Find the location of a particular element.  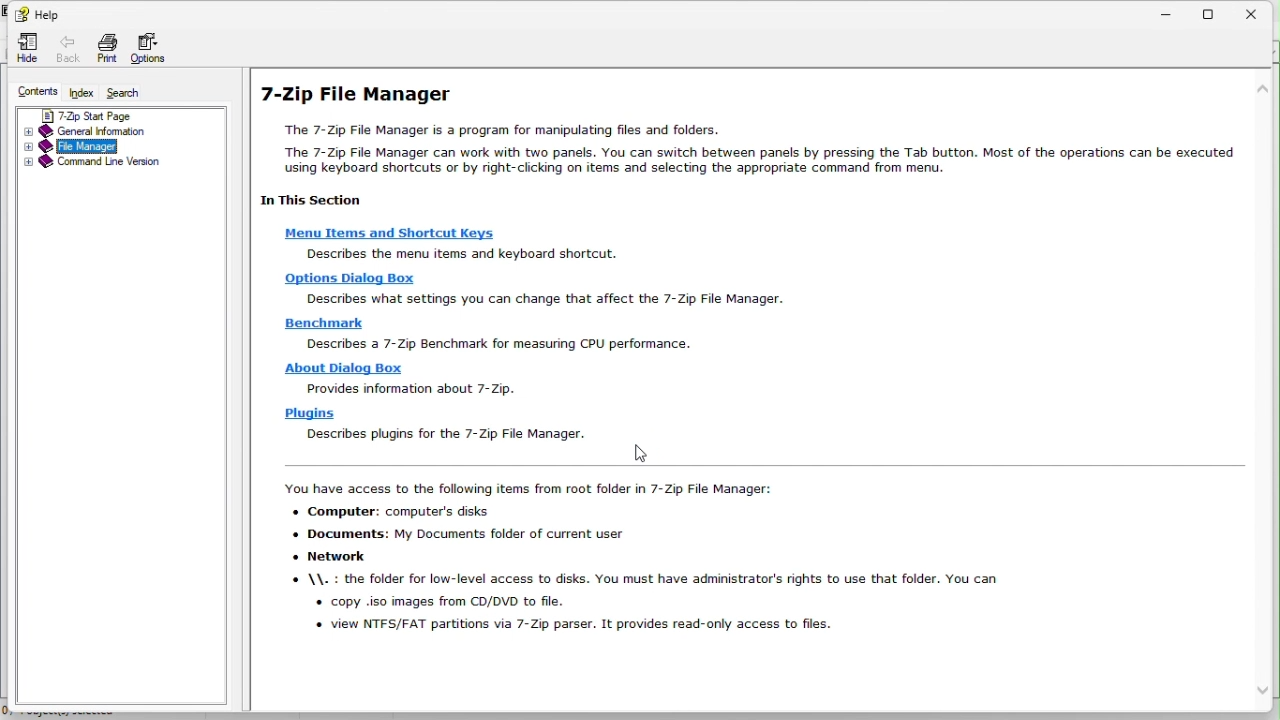

Command line argument  is located at coordinates (113, 165).